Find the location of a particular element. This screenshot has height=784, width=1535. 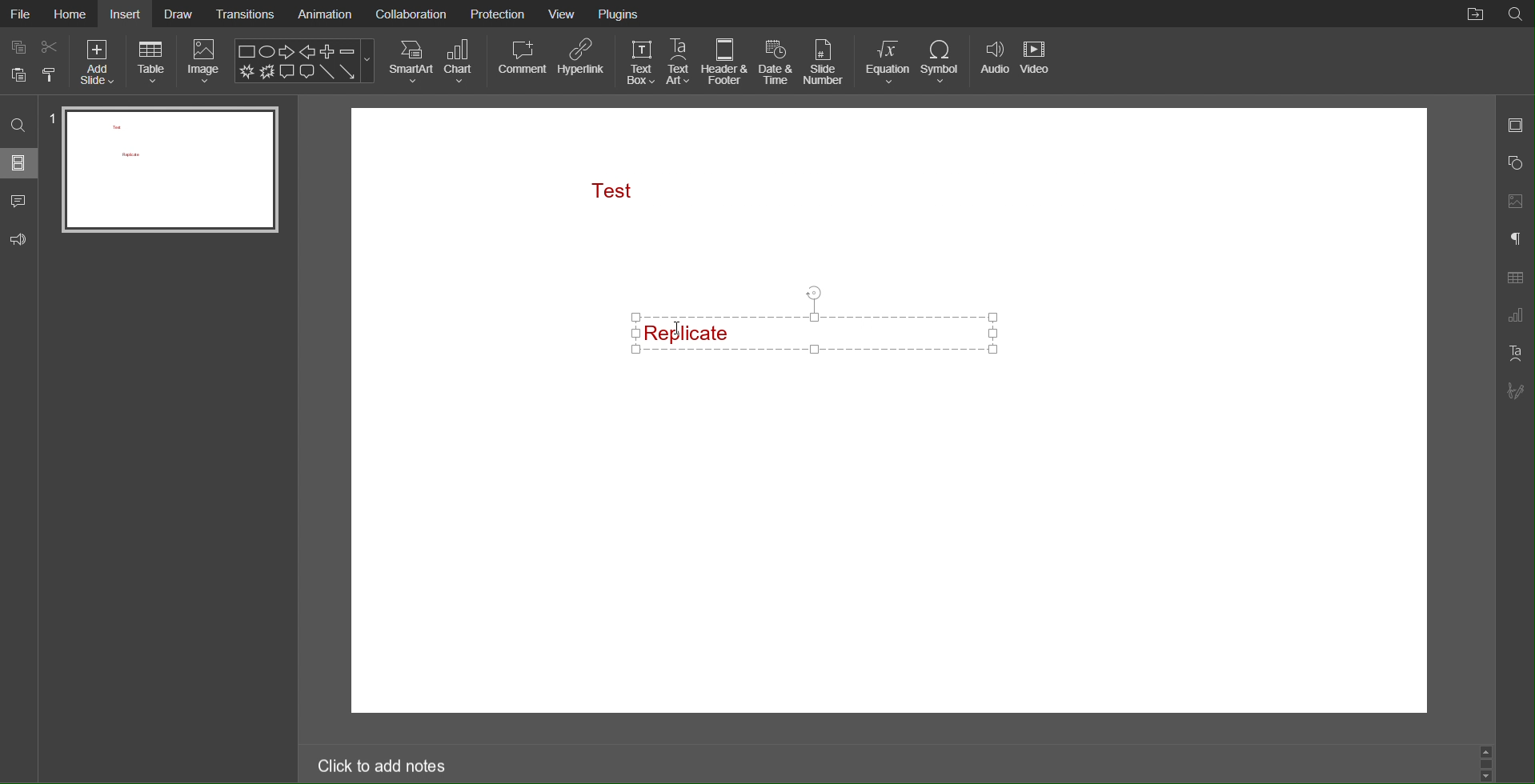

Graph Settings is located at coordinates (1514, 316).